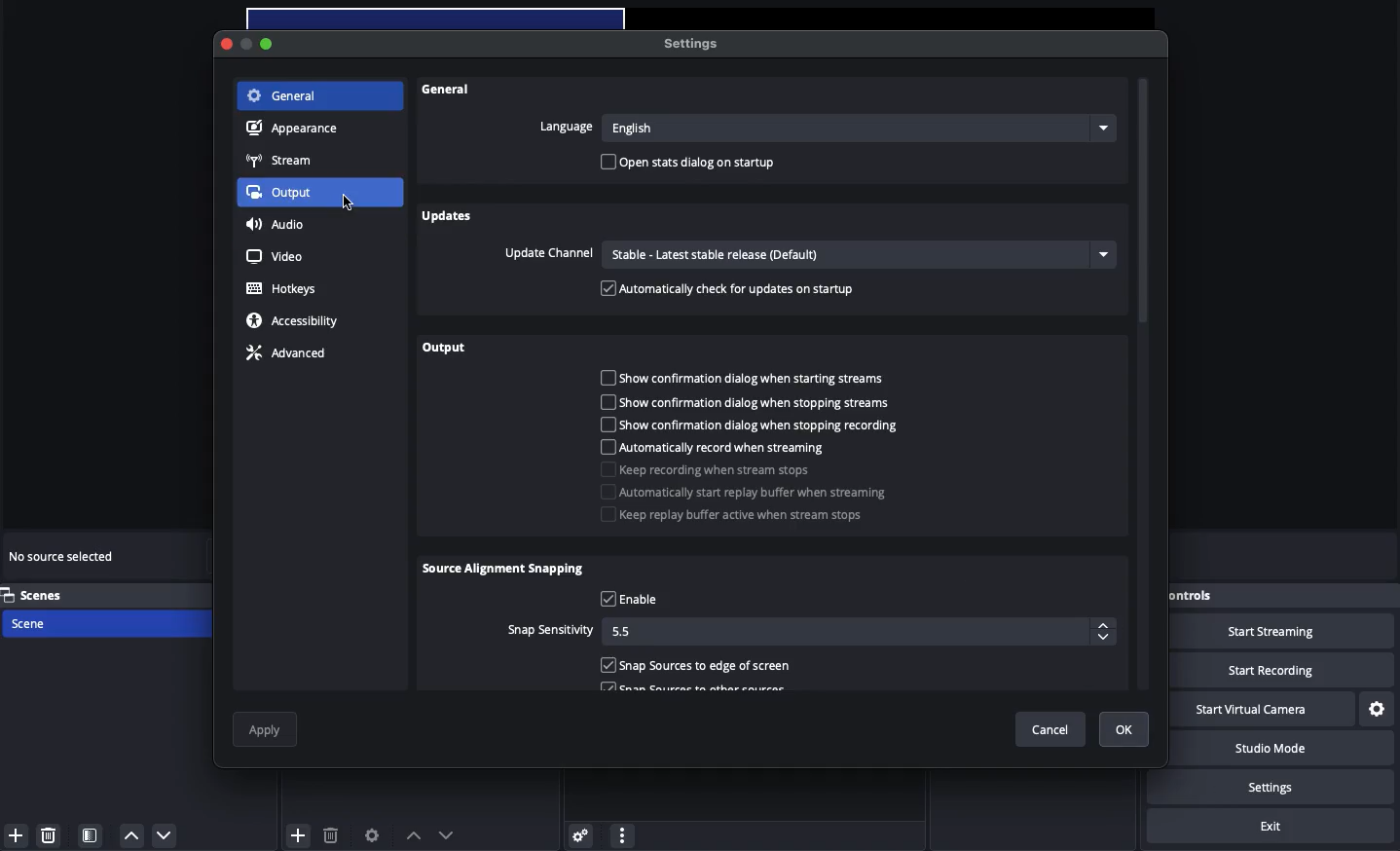 The width and height of the screenshot is (1400, 851). What do you see at coordinates (694, 163) in the screenshot?
I see `Open starts dialog on startup` at bounding box center [694, 163].